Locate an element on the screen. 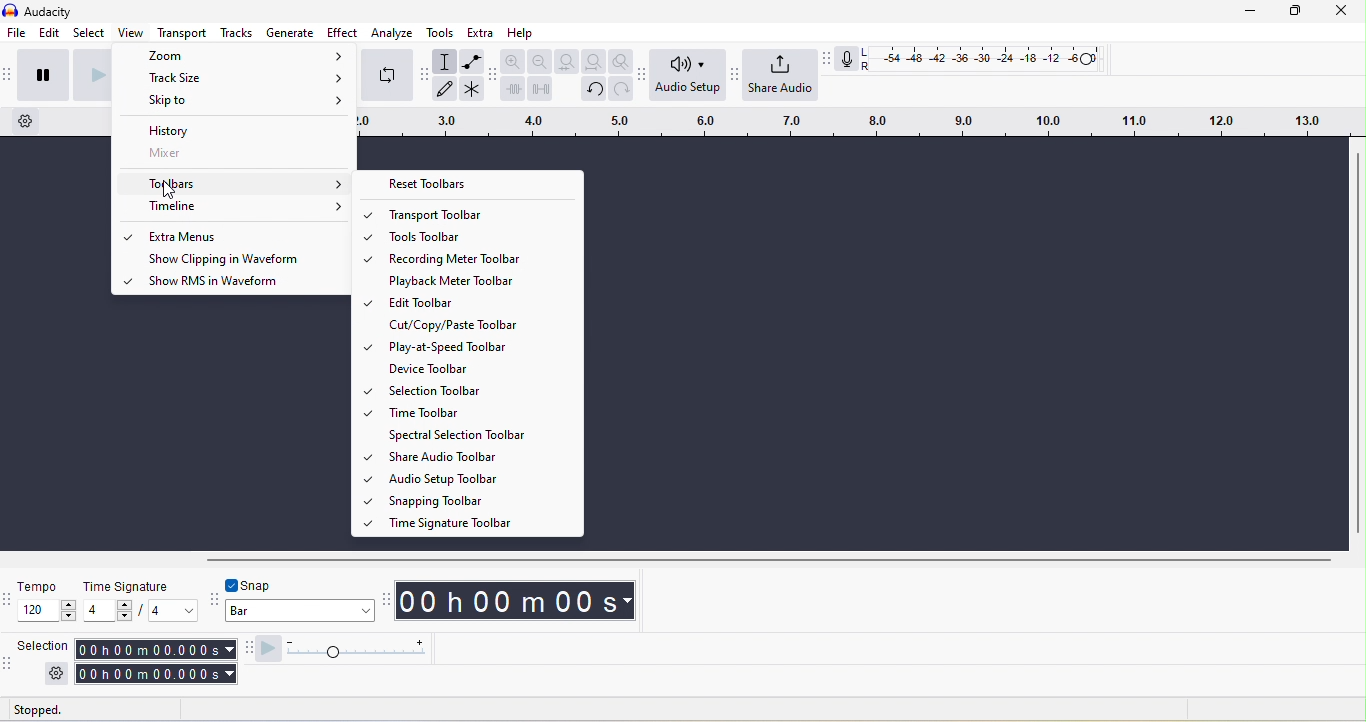 Image resolution: width=1366 pixels, height=722 pixels. effect is located at coordinates (342, 32).